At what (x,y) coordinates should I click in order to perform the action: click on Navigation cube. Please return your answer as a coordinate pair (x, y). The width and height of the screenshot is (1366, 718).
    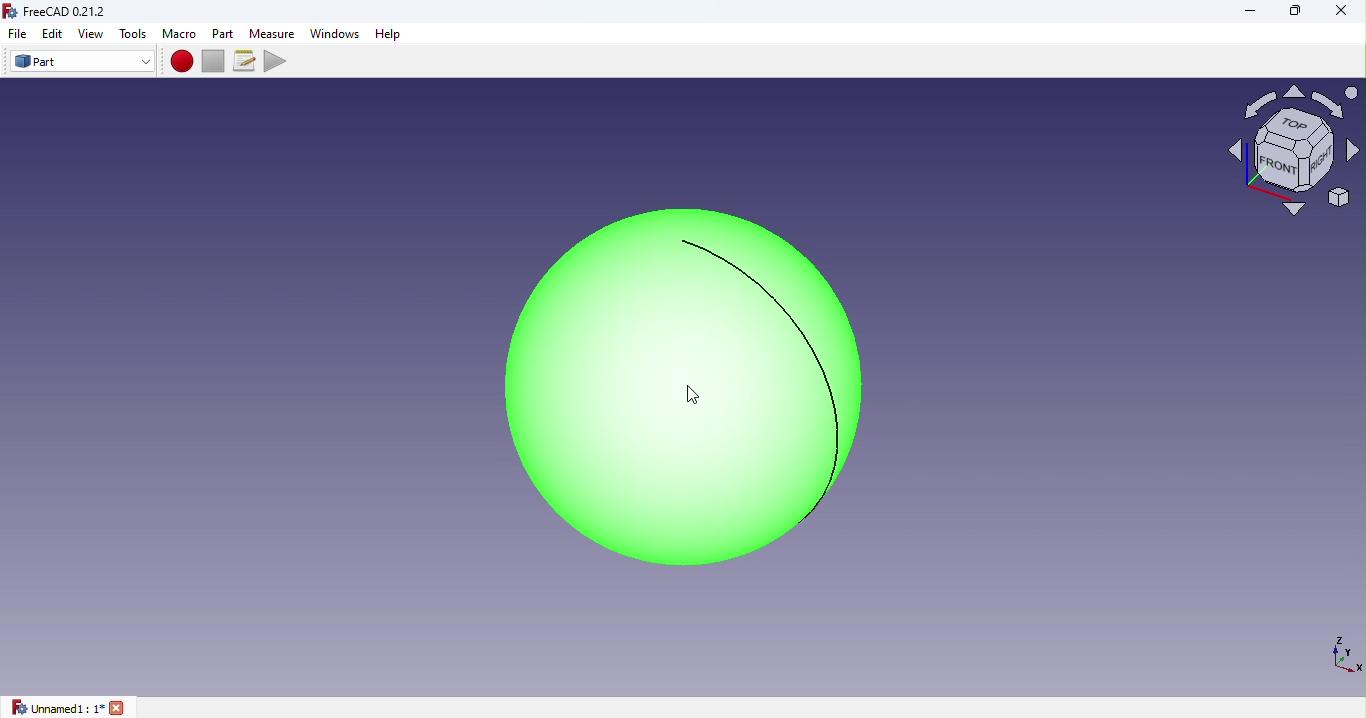
    Looking at the image, I should click on (1293, 158).